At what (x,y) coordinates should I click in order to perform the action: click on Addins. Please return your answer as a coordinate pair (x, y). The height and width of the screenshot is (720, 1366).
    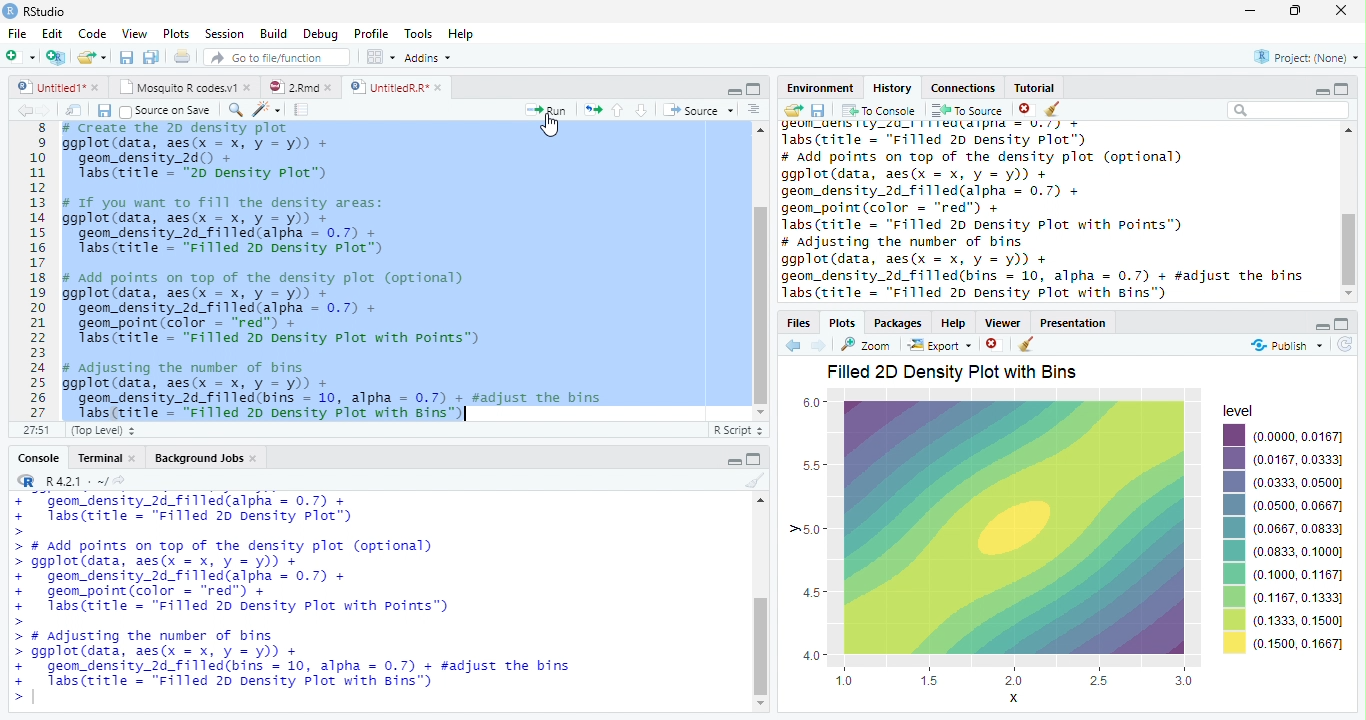
    Looking at the image, I should click on (427, 57).